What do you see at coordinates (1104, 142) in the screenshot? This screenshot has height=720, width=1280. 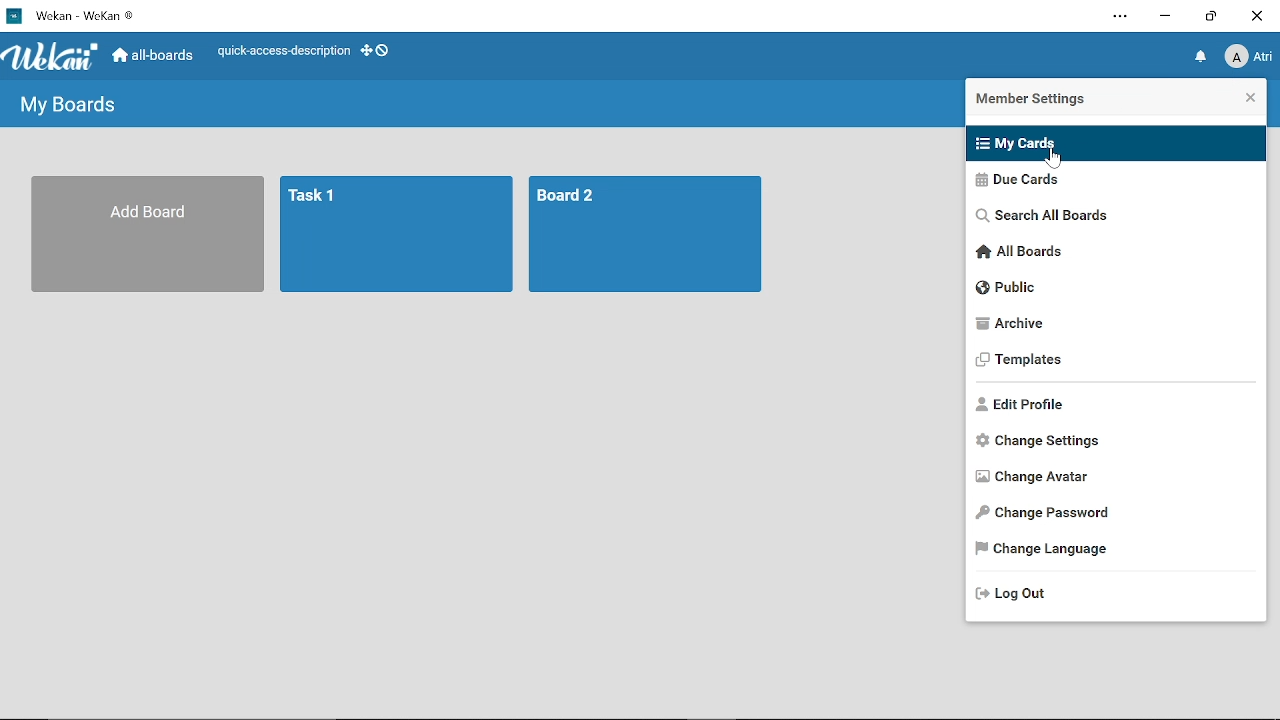 I see `My cards` at bounding box center [1104, 142].